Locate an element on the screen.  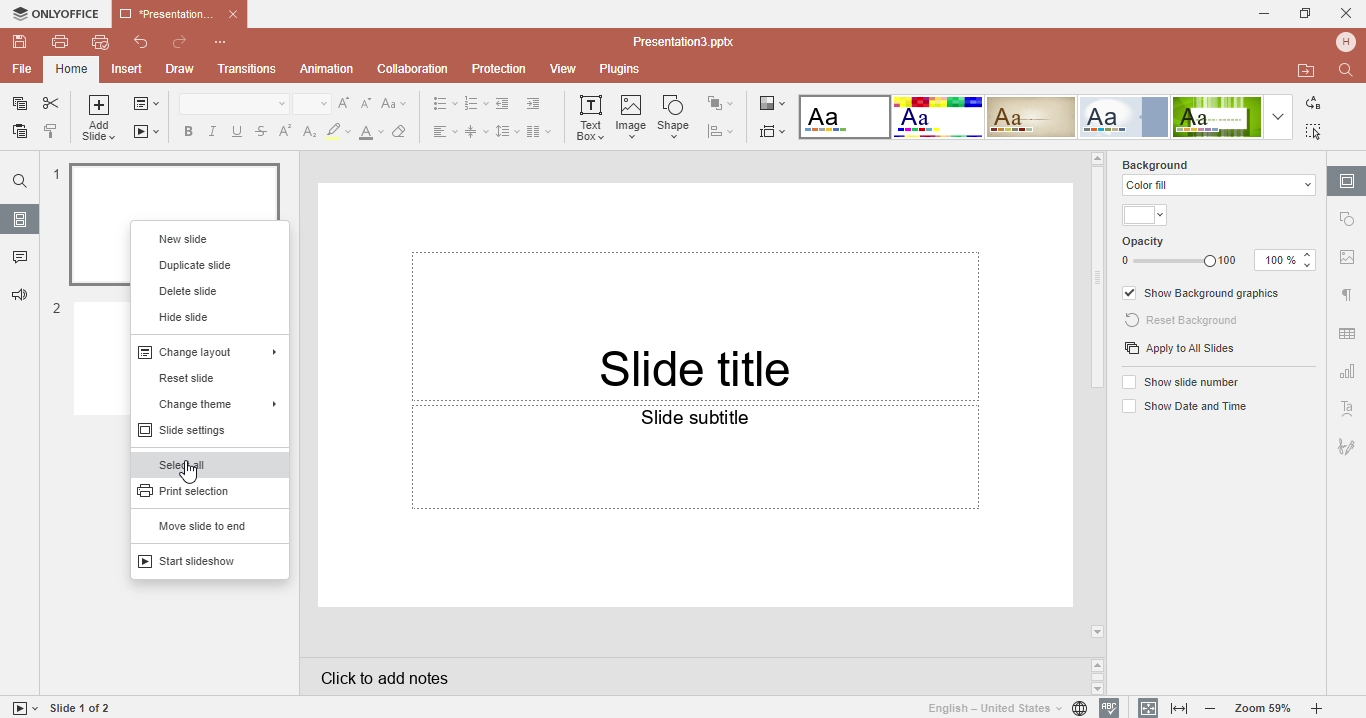
Insert Image is located at coordinates (633, 116).